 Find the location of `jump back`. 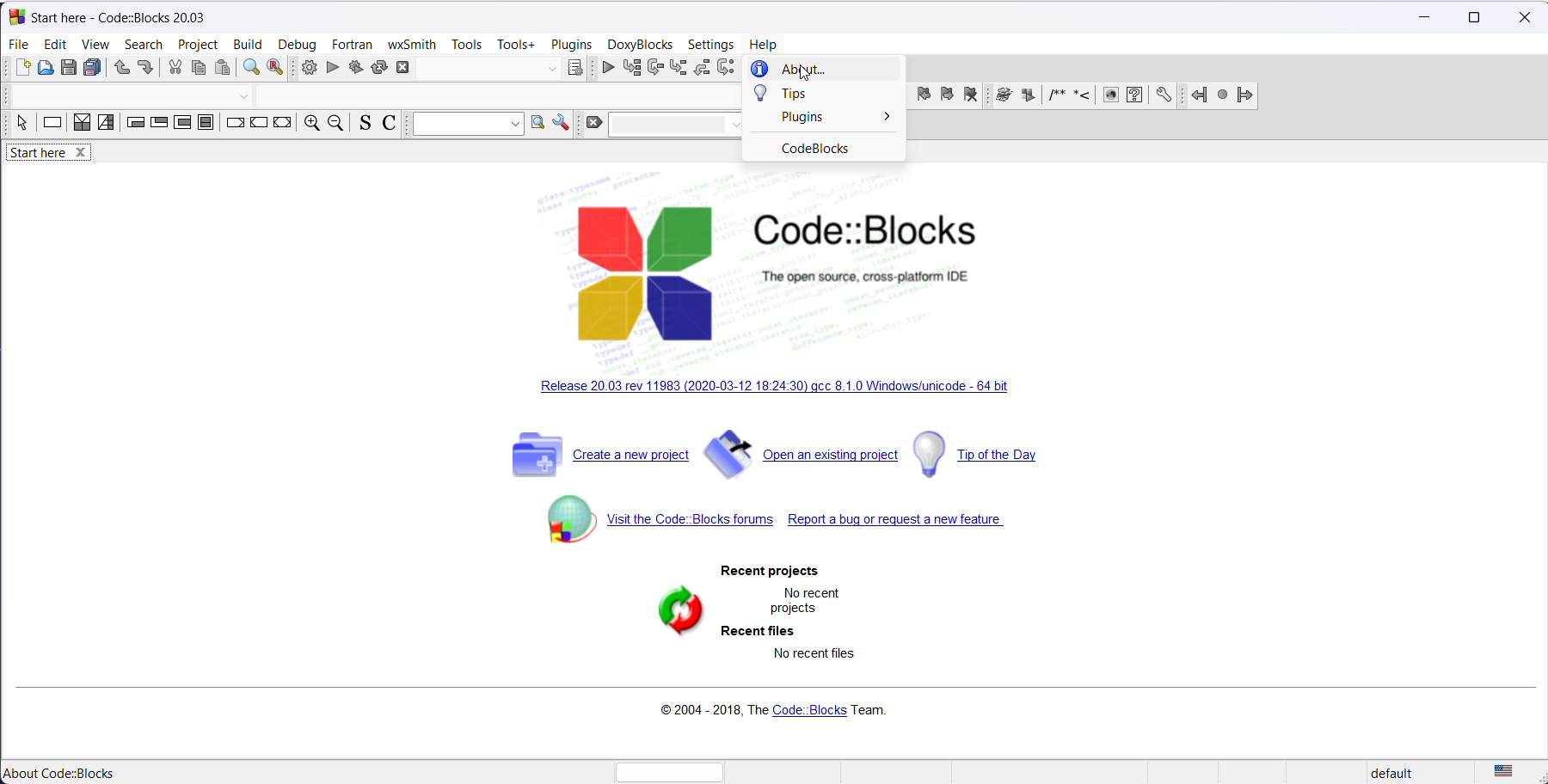

jump back is located at coordinates (1202, 94).